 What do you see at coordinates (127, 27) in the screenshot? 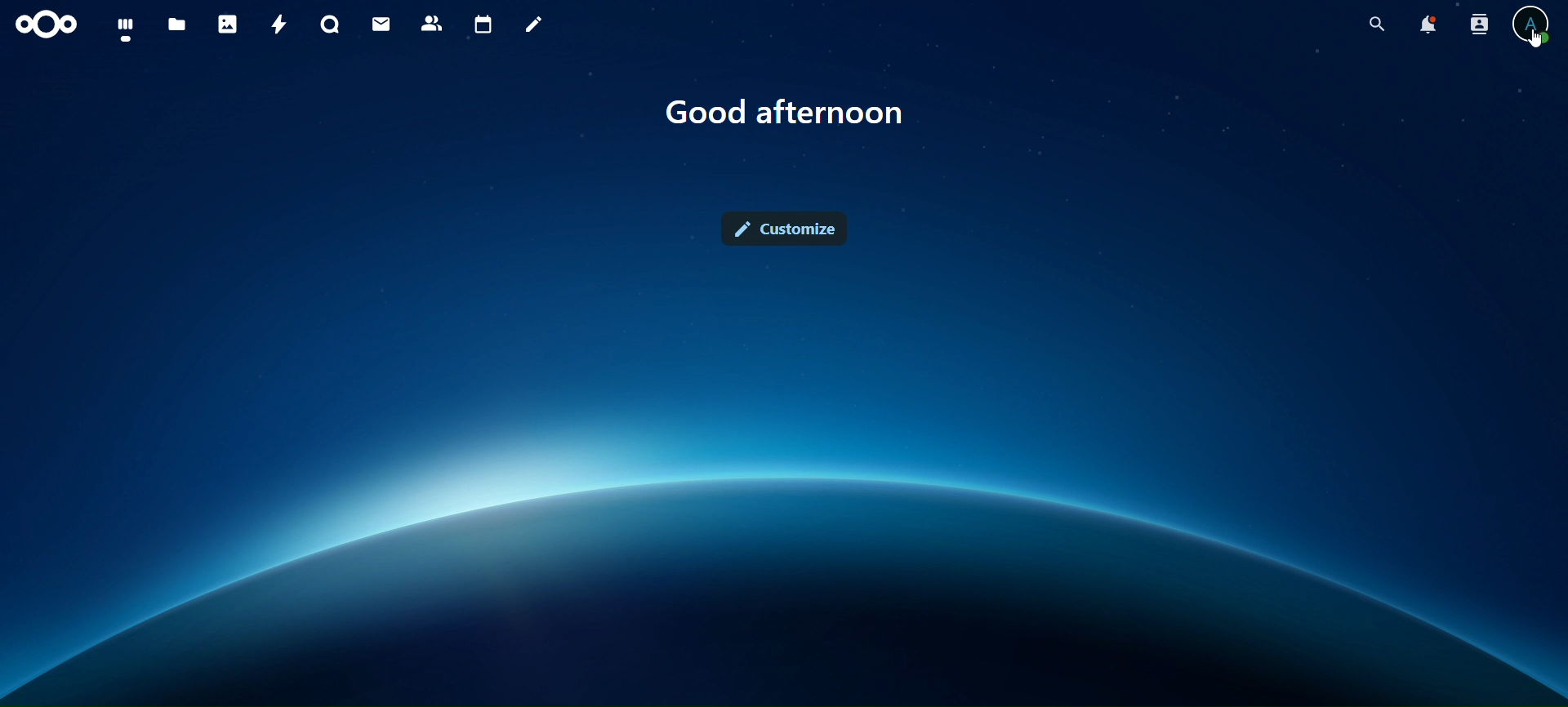
I see `dashboard` at bounding box center [127, 27].